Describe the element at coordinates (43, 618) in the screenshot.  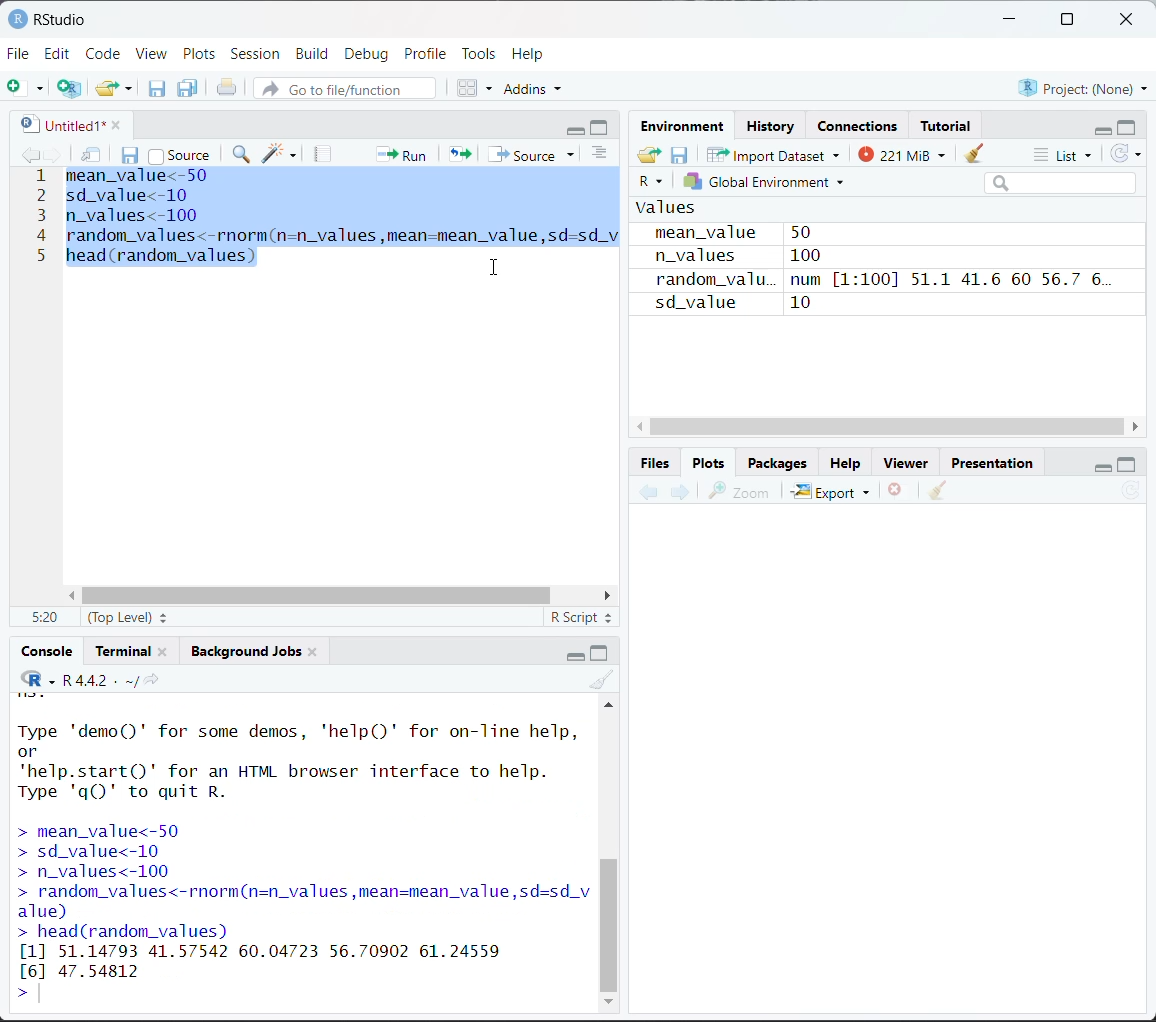
I see `5:20` at that location.